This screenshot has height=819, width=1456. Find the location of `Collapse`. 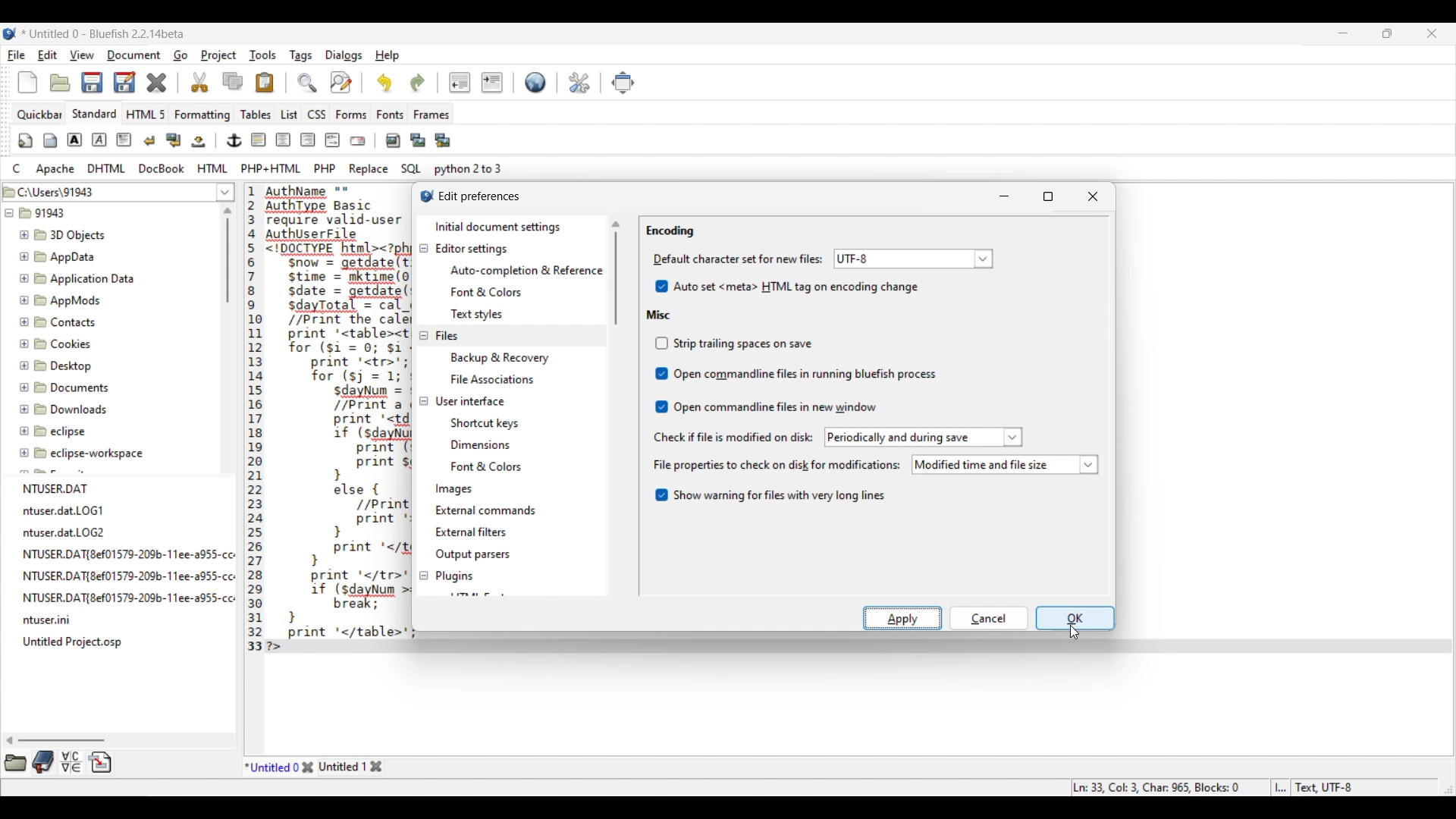

Collapse is located at coordinates (424, 413).